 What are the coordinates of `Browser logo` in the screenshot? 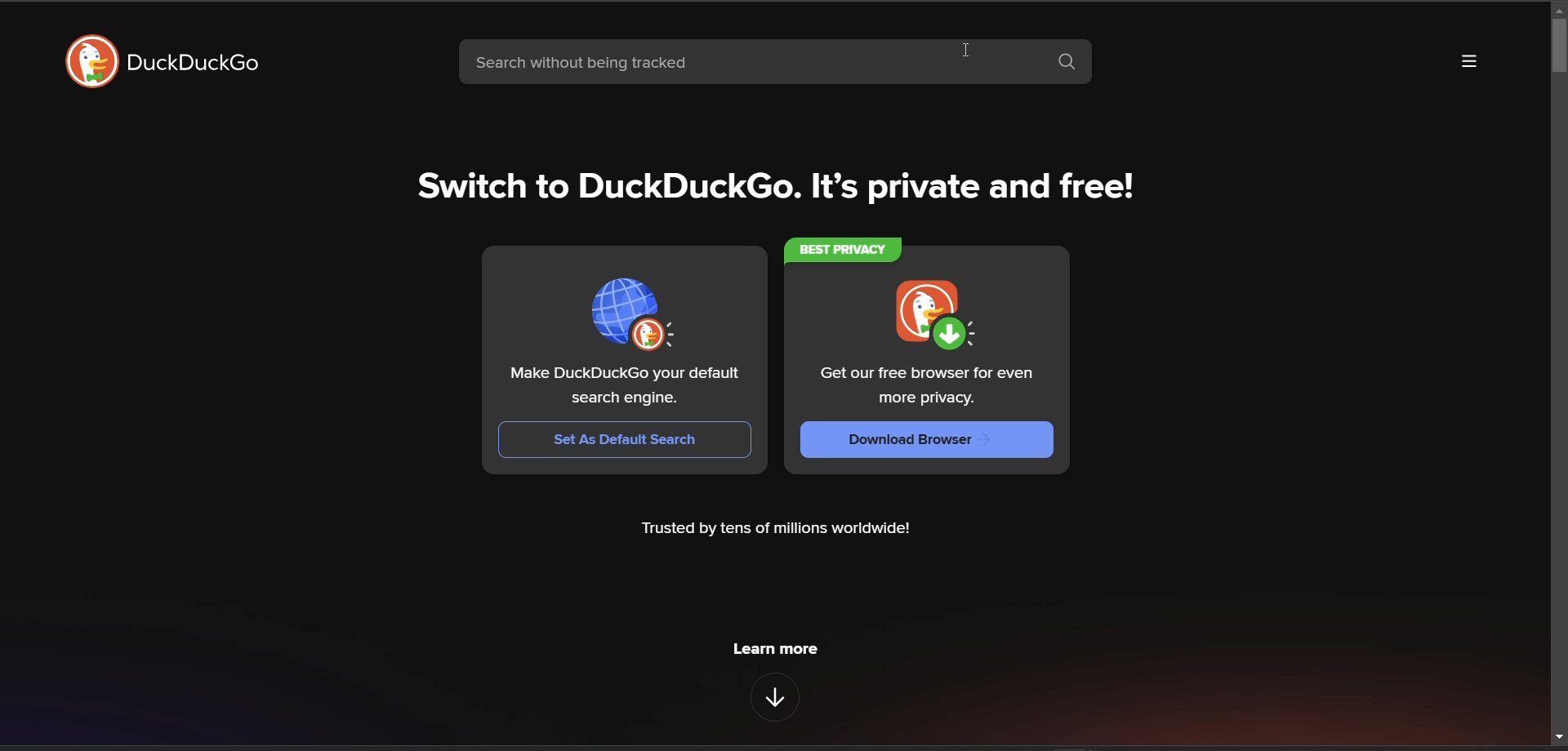 It's located at (91, 61).